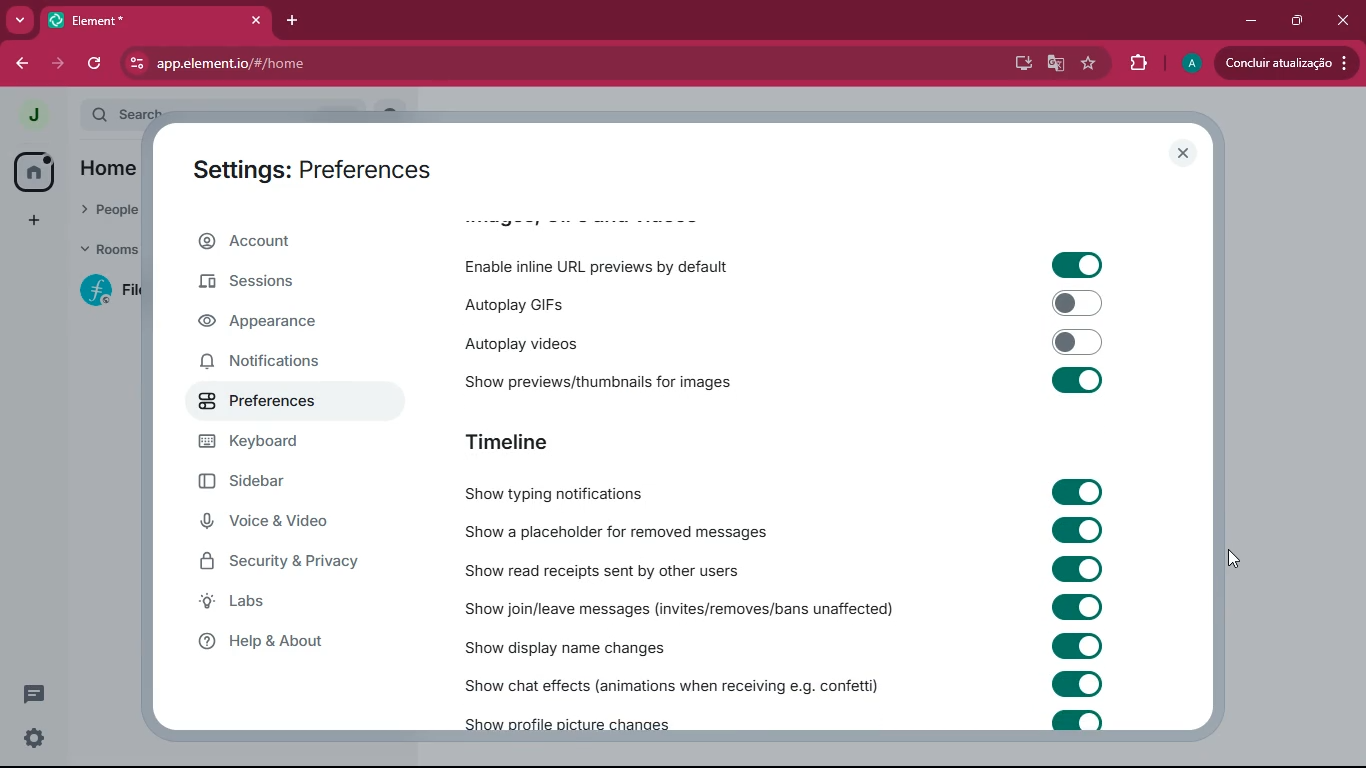 The width and height of the screenshot is (1366, 768). Describe the element at coordinates (1287, 63) in the screenshot. I see `update` at that location.